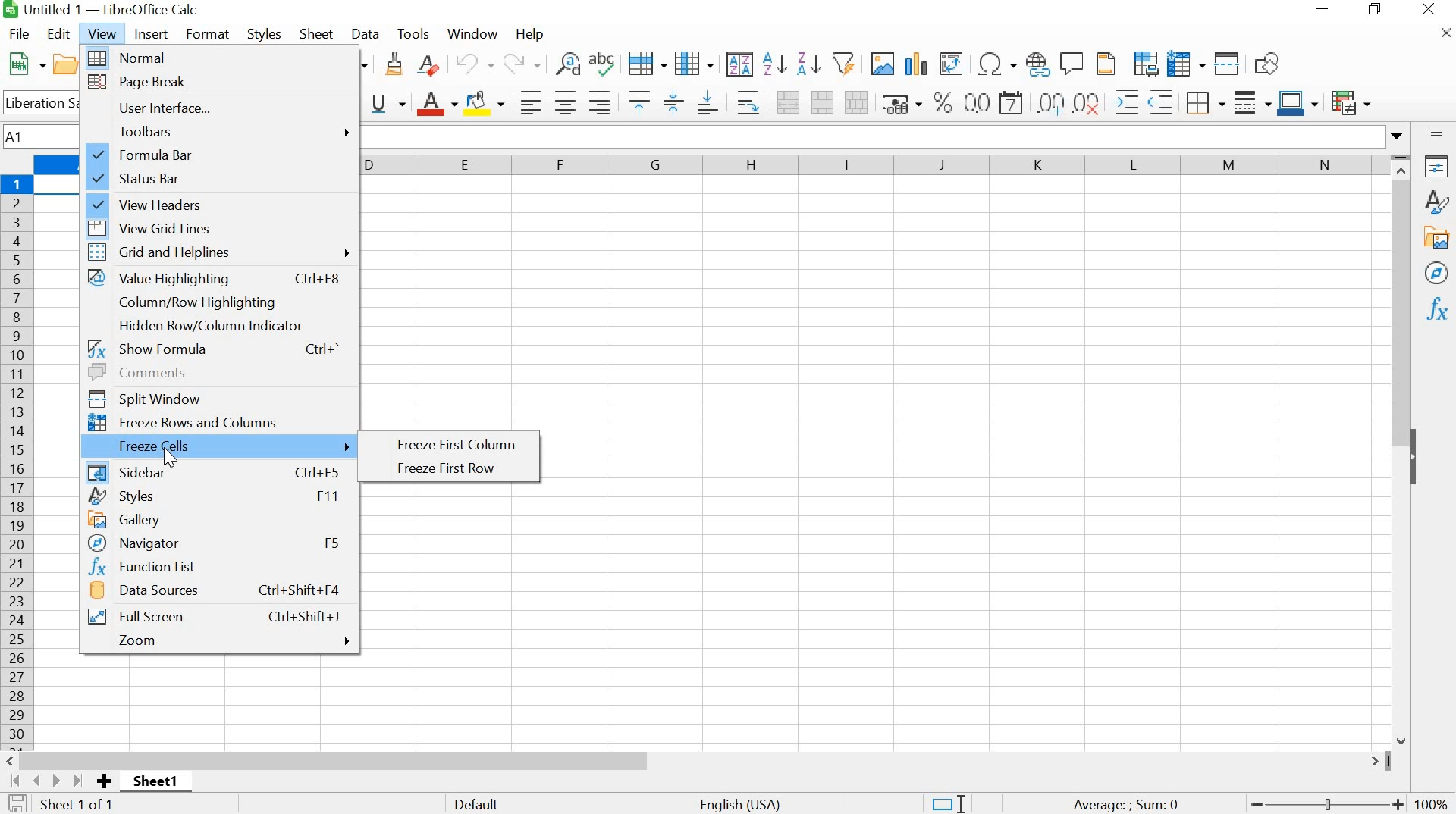 Image resolution: width=1456 pixels, height=814 pixels. I want to click on SIDEBAR SETTINGS, so click(1437, 136).